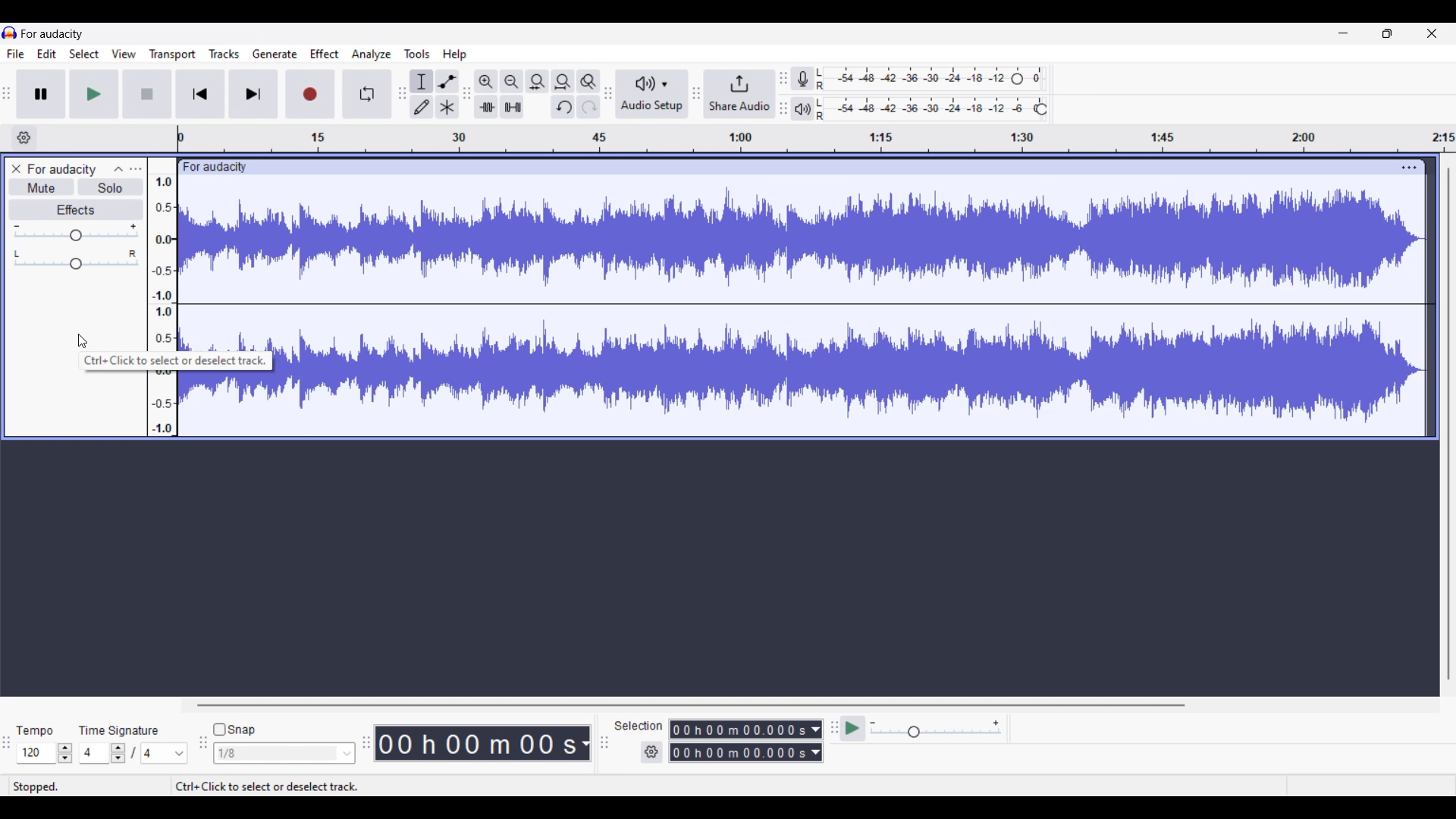  I want to click on Cursor, so click(83, 341).